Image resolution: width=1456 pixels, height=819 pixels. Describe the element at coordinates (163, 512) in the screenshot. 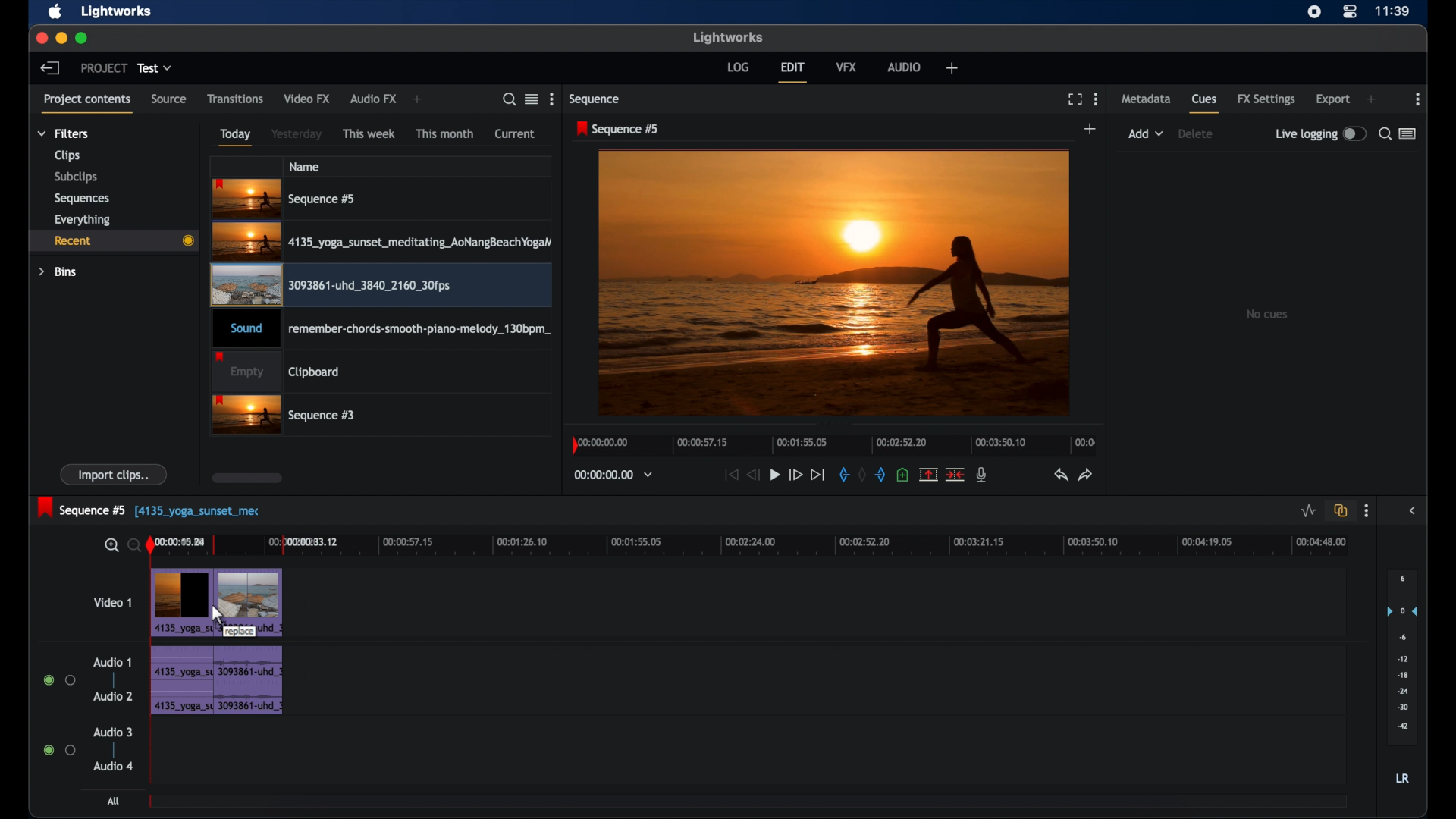

I see `sequence 5` at that location.